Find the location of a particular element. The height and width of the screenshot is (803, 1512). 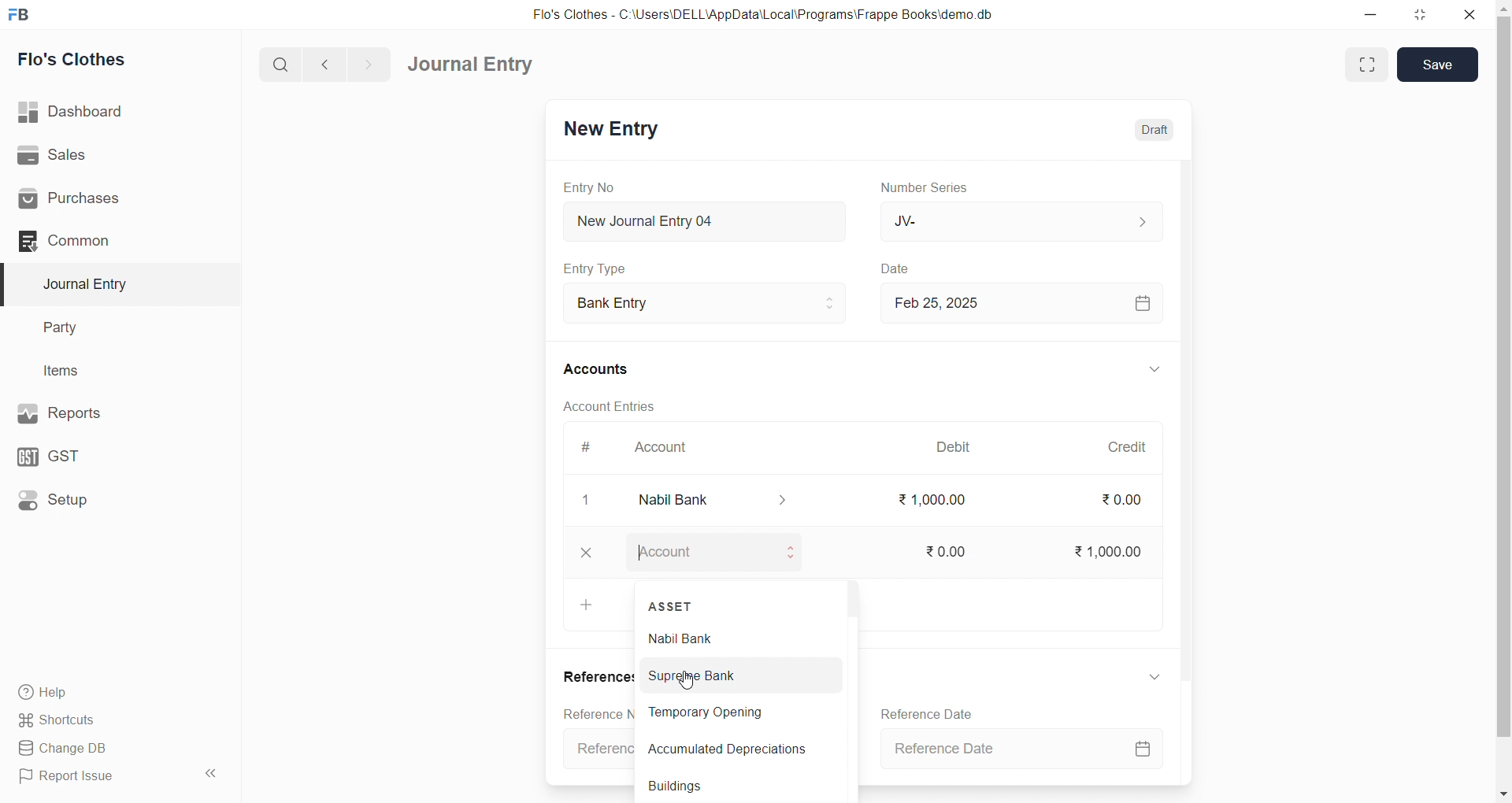

Feb 25, 2025 is located at coordinates (1027, 302).